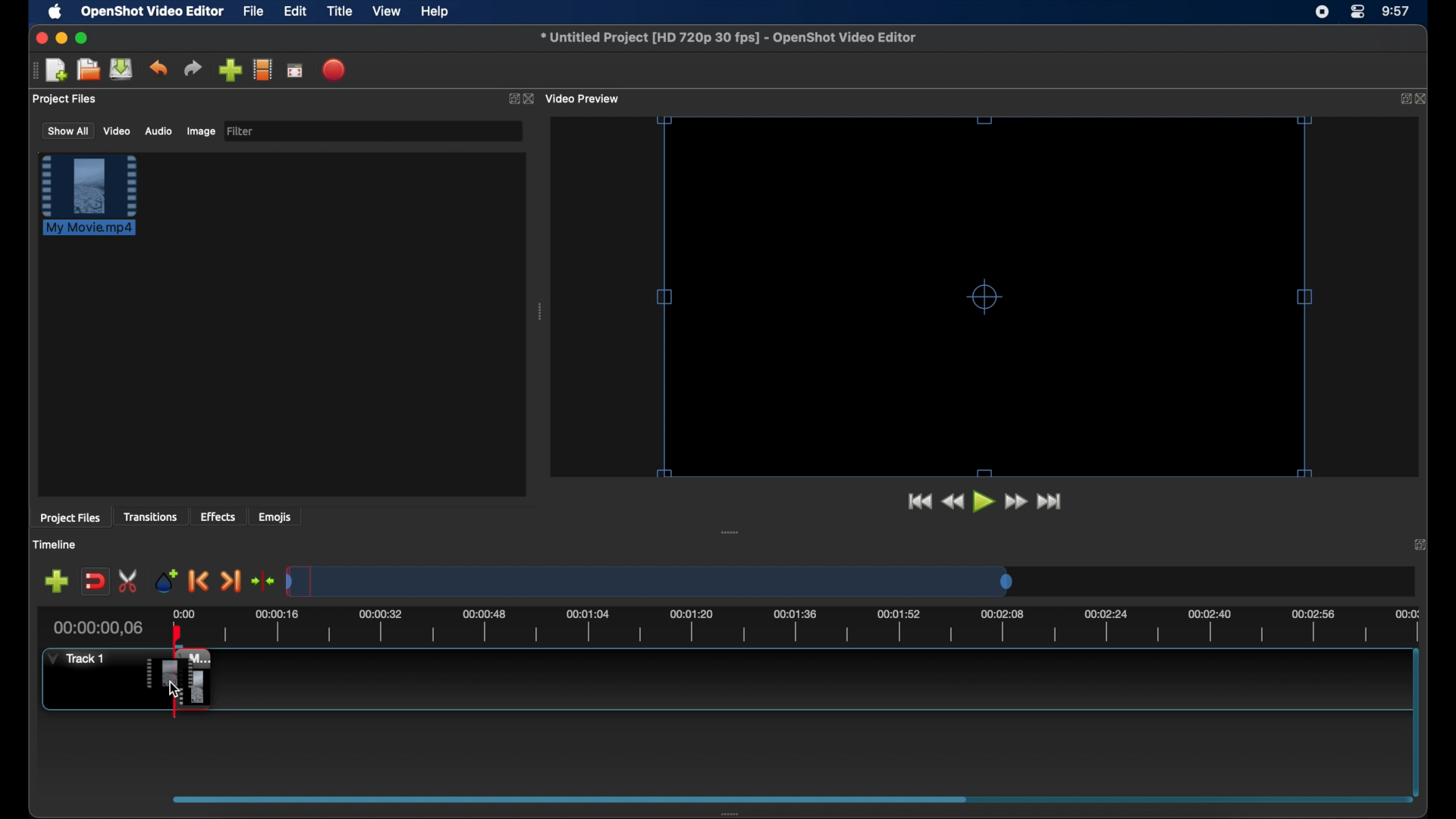 The image size is (1456, 819). Describe the element at coordinates (262, 581) in the screenshot. I see `center the playhead on the timeline` at that location.